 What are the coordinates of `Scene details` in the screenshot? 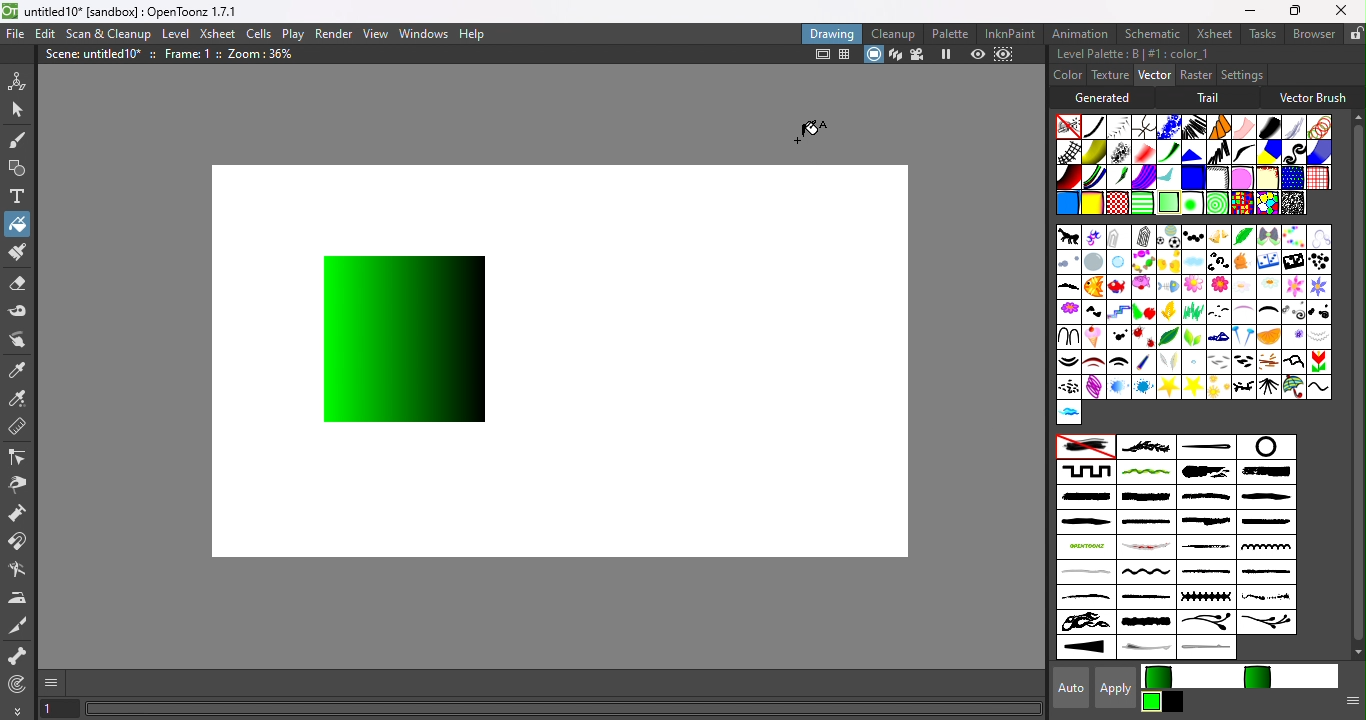 It's located at (177, 57).